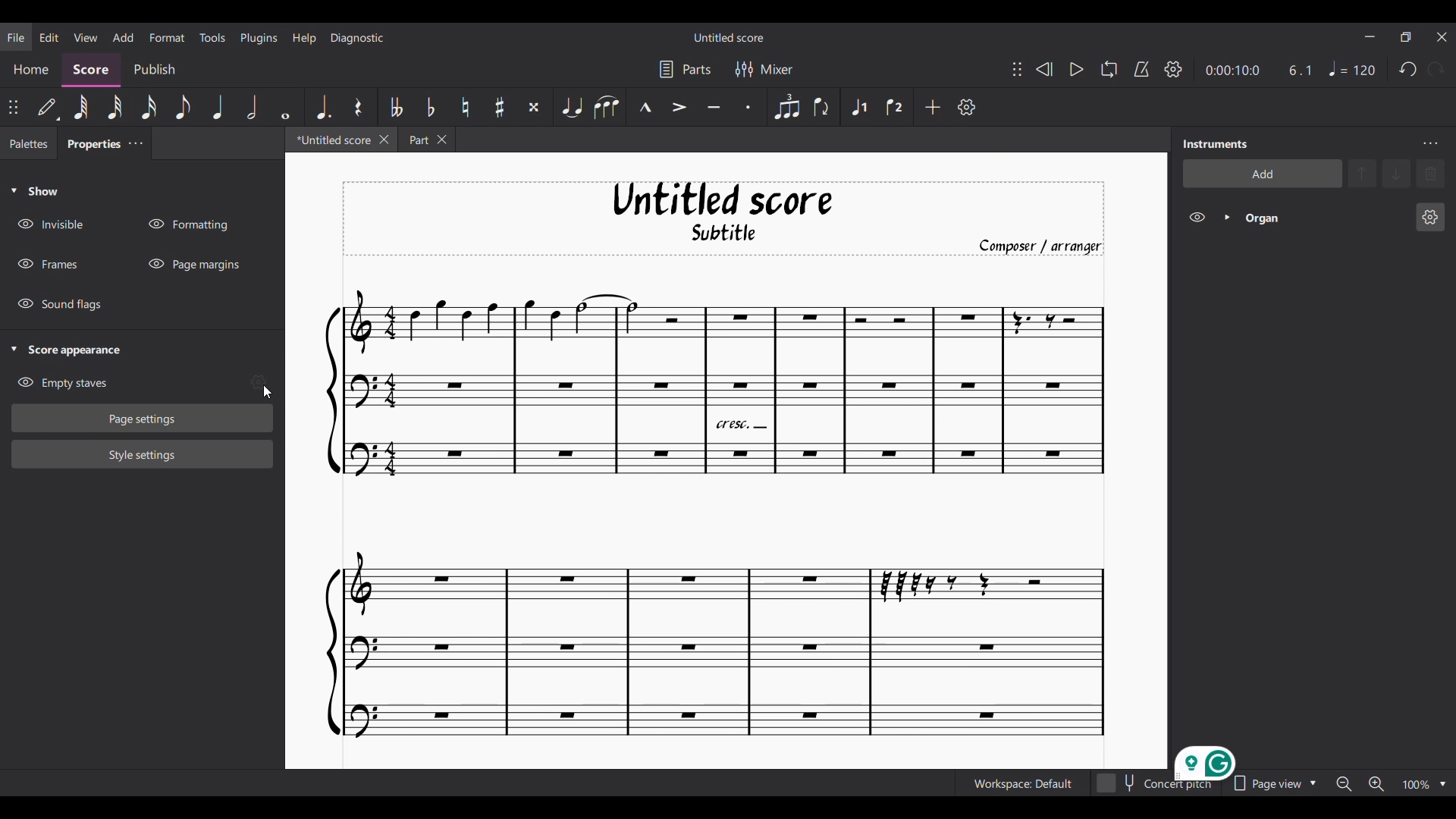  Describe the element at coordinates (859, 108) in the screenshot. I see `Highlighted after measure selection` at that location.